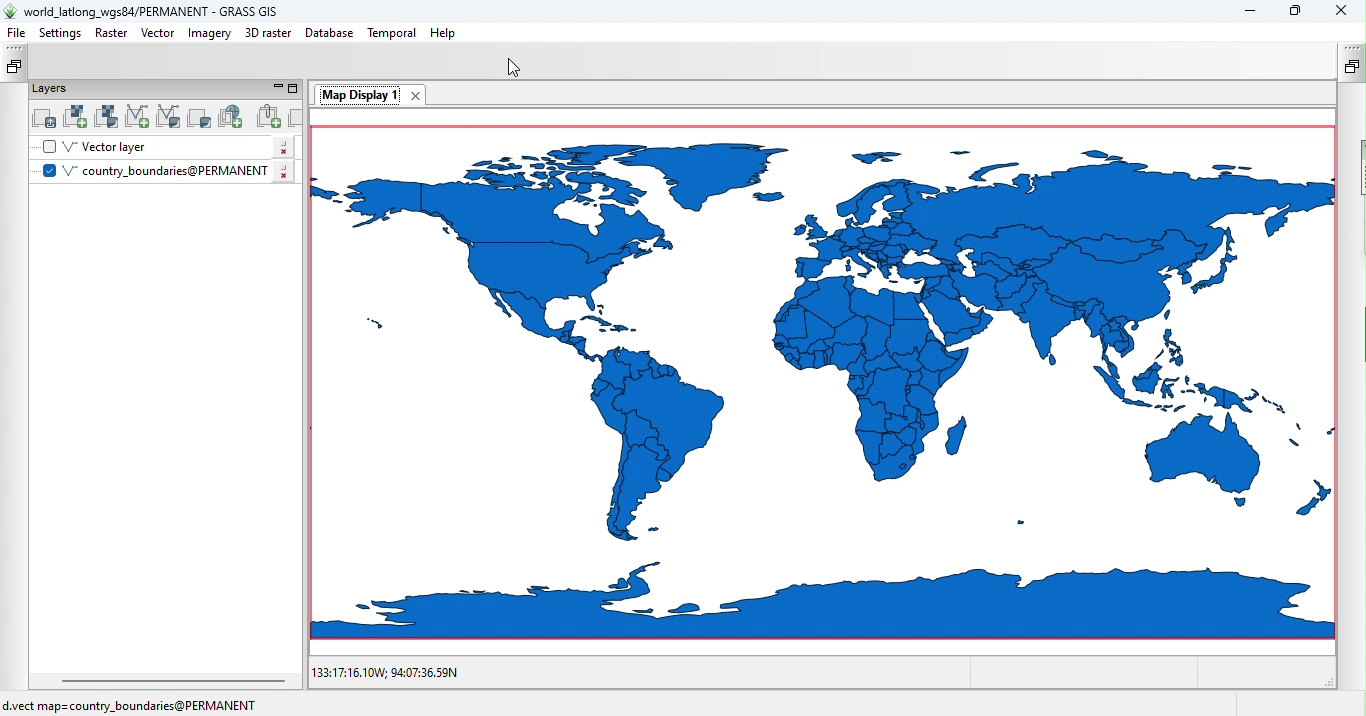  Describe the element at coordinates (172, 117) in the screenshot. I see `Add various vector map layers` at that location.